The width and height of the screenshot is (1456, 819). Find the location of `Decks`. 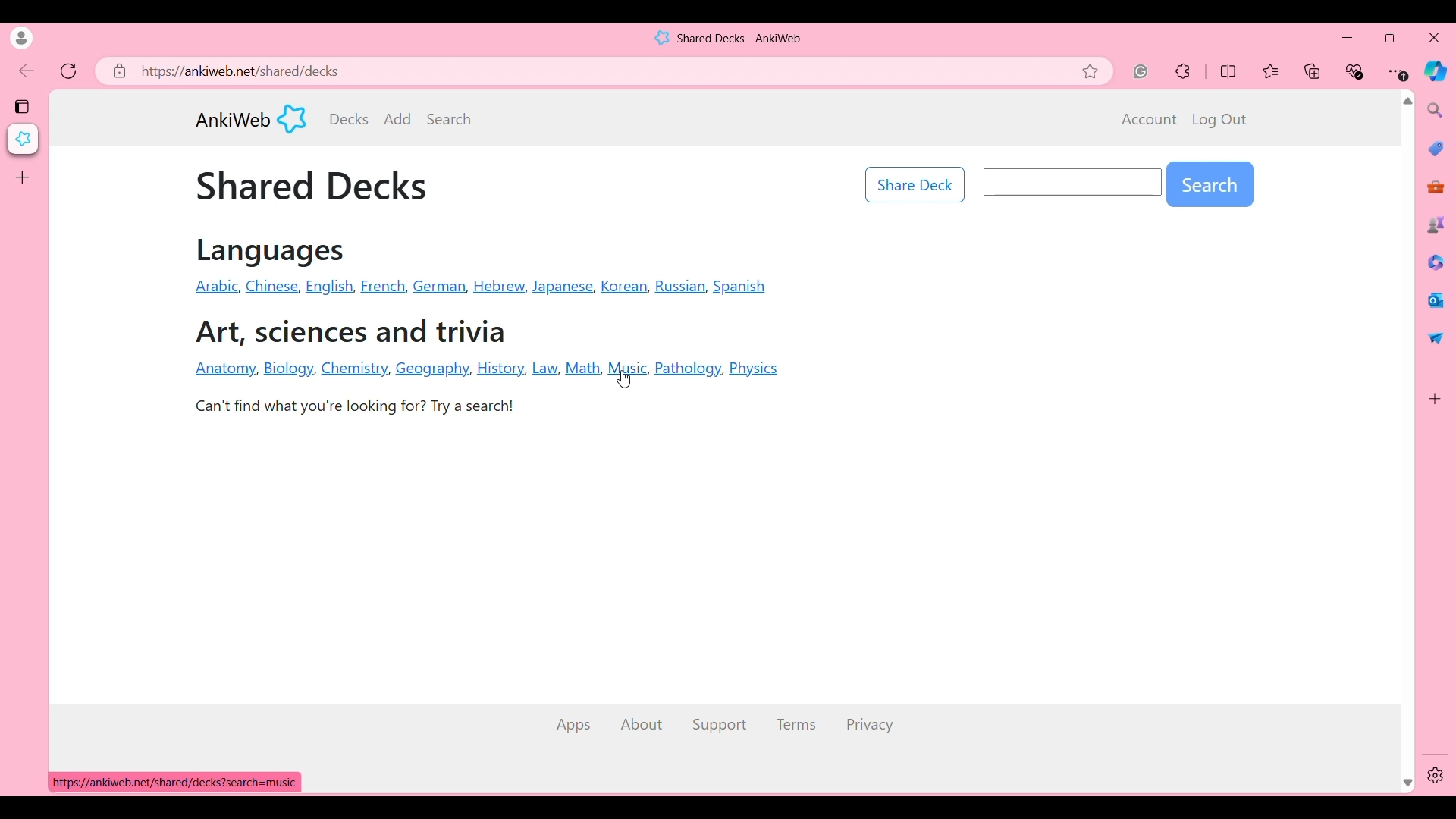

Decks is located at coordinates (349, 119).